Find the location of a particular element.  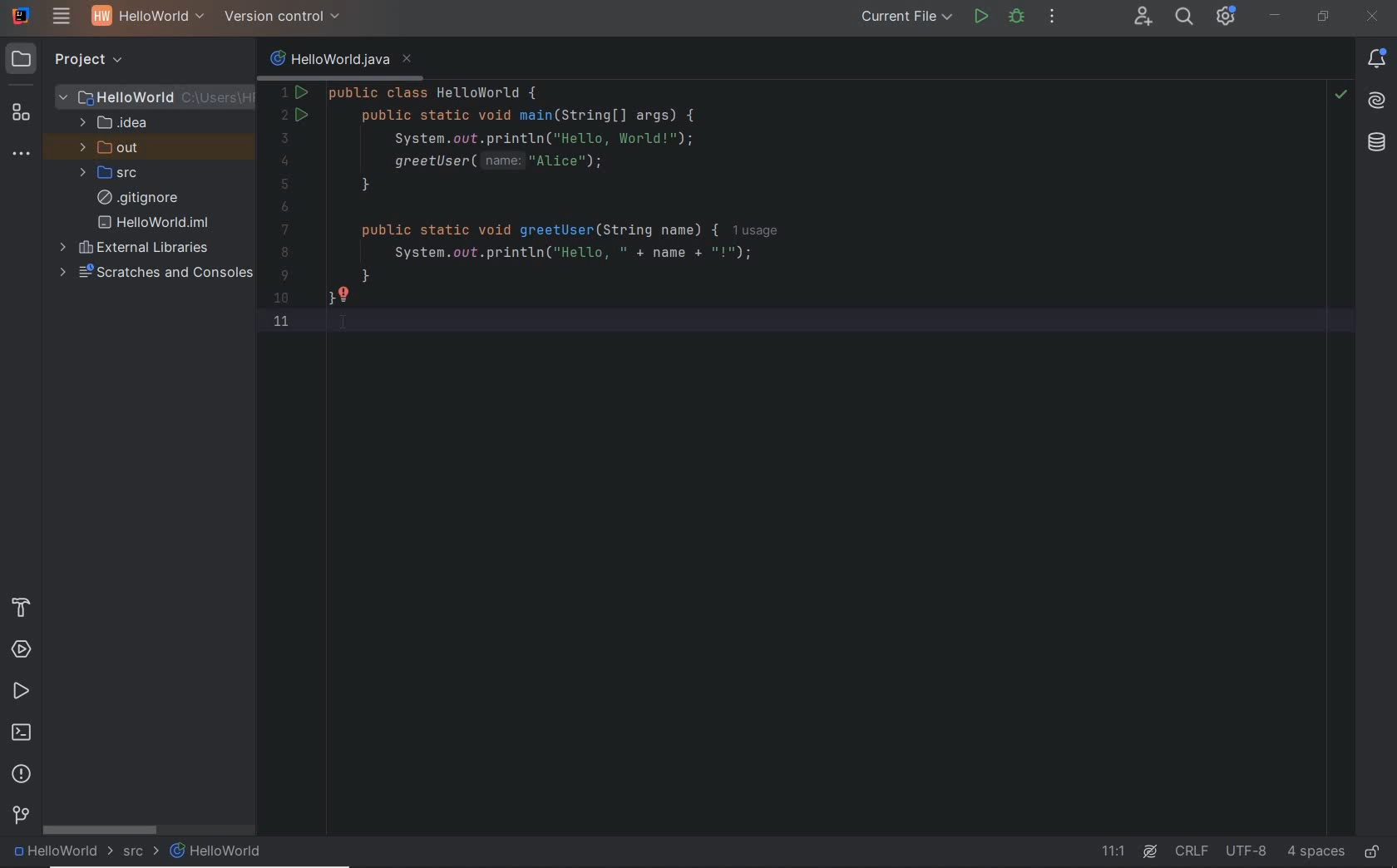

run is located at coordinates (982, 17).